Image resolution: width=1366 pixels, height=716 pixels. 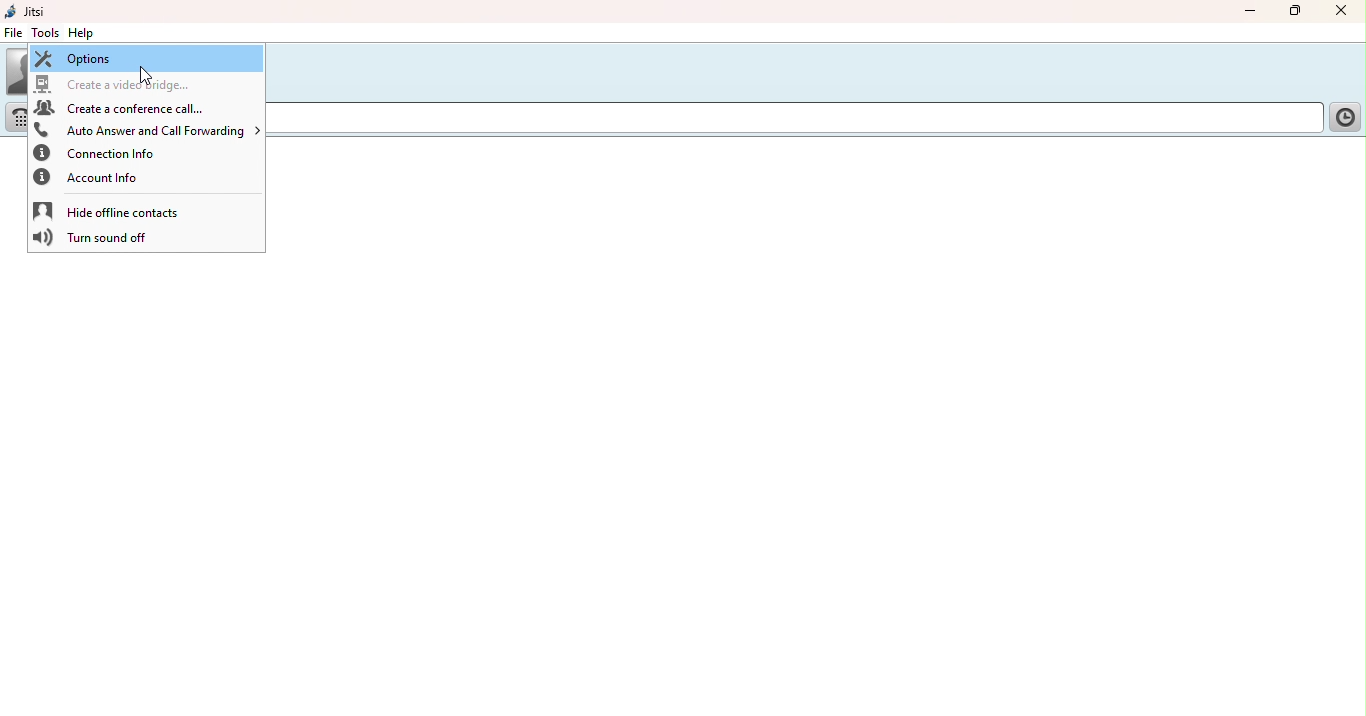 What do you see at coordinates (1298, 13) in the screenshot?
I see `Maximize` at bounding box center [1298, 13].